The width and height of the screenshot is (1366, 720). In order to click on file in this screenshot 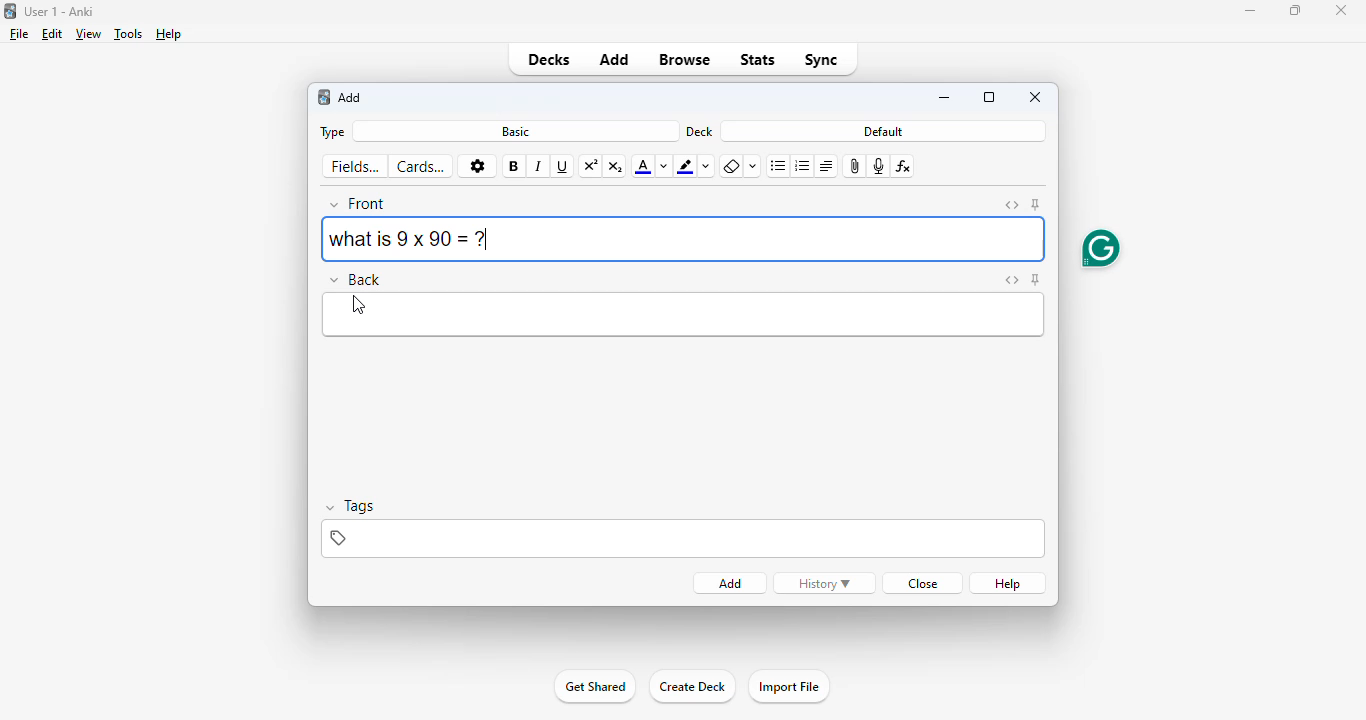, I will do `click(19, 34)`.